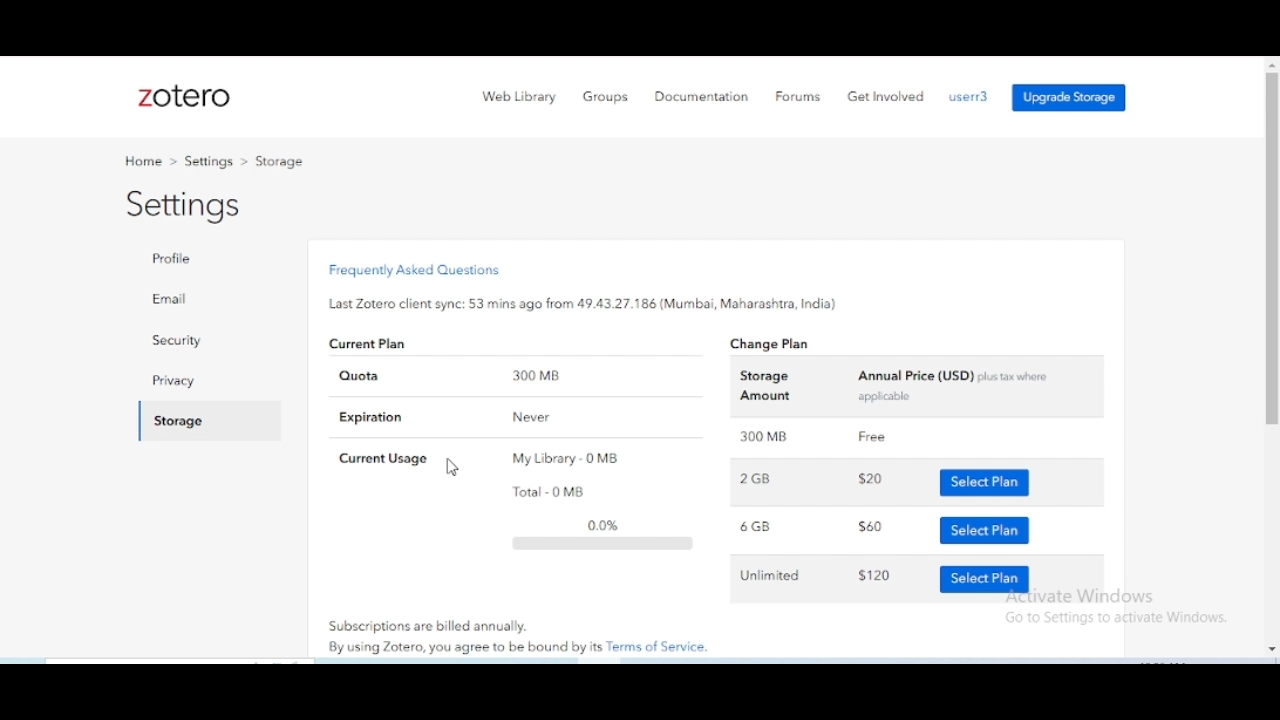  I want to click on select plan, so click(981, 575).